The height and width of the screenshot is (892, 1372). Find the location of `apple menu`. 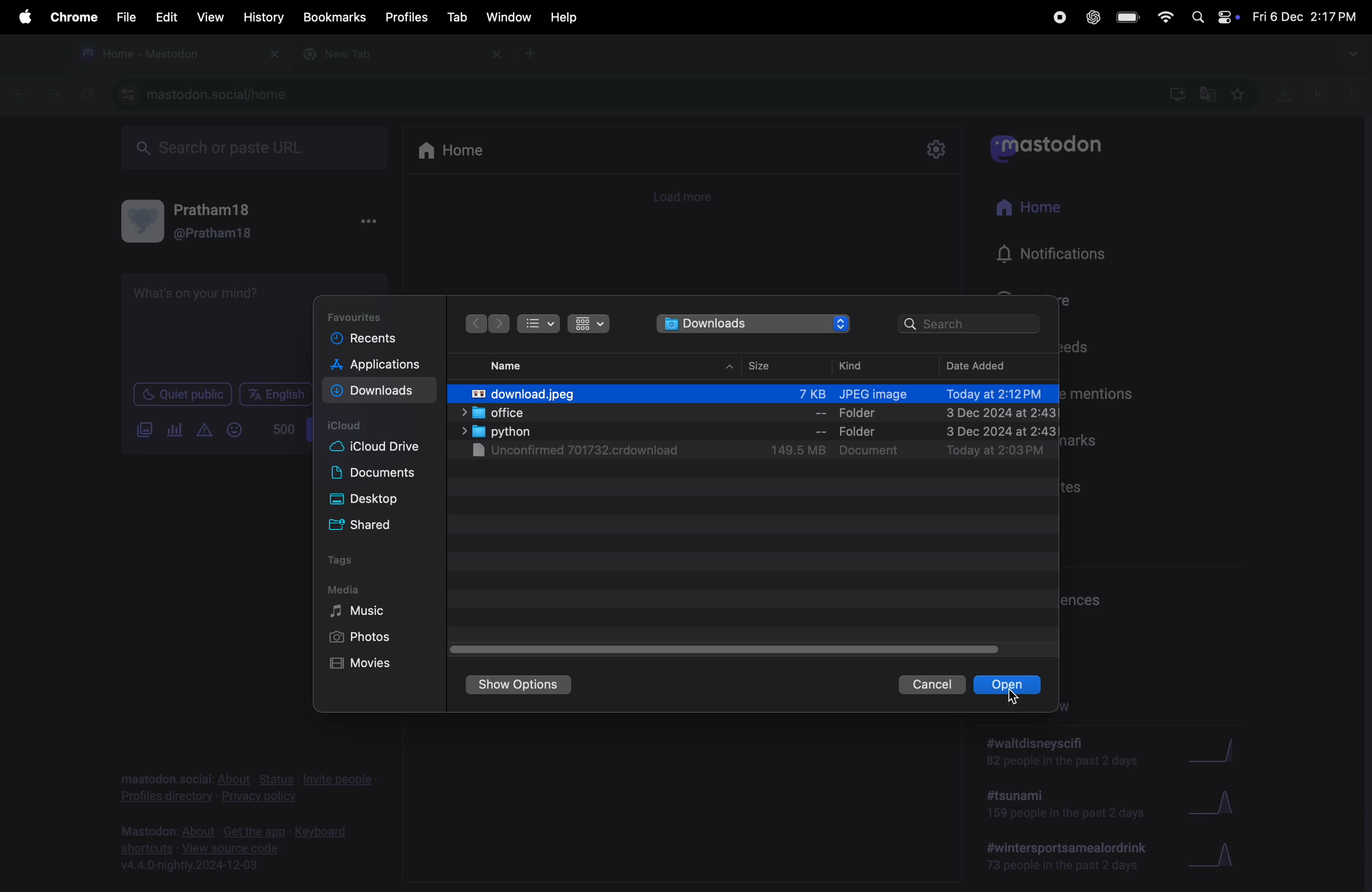

apple menu is located at coordinates (24, 17).